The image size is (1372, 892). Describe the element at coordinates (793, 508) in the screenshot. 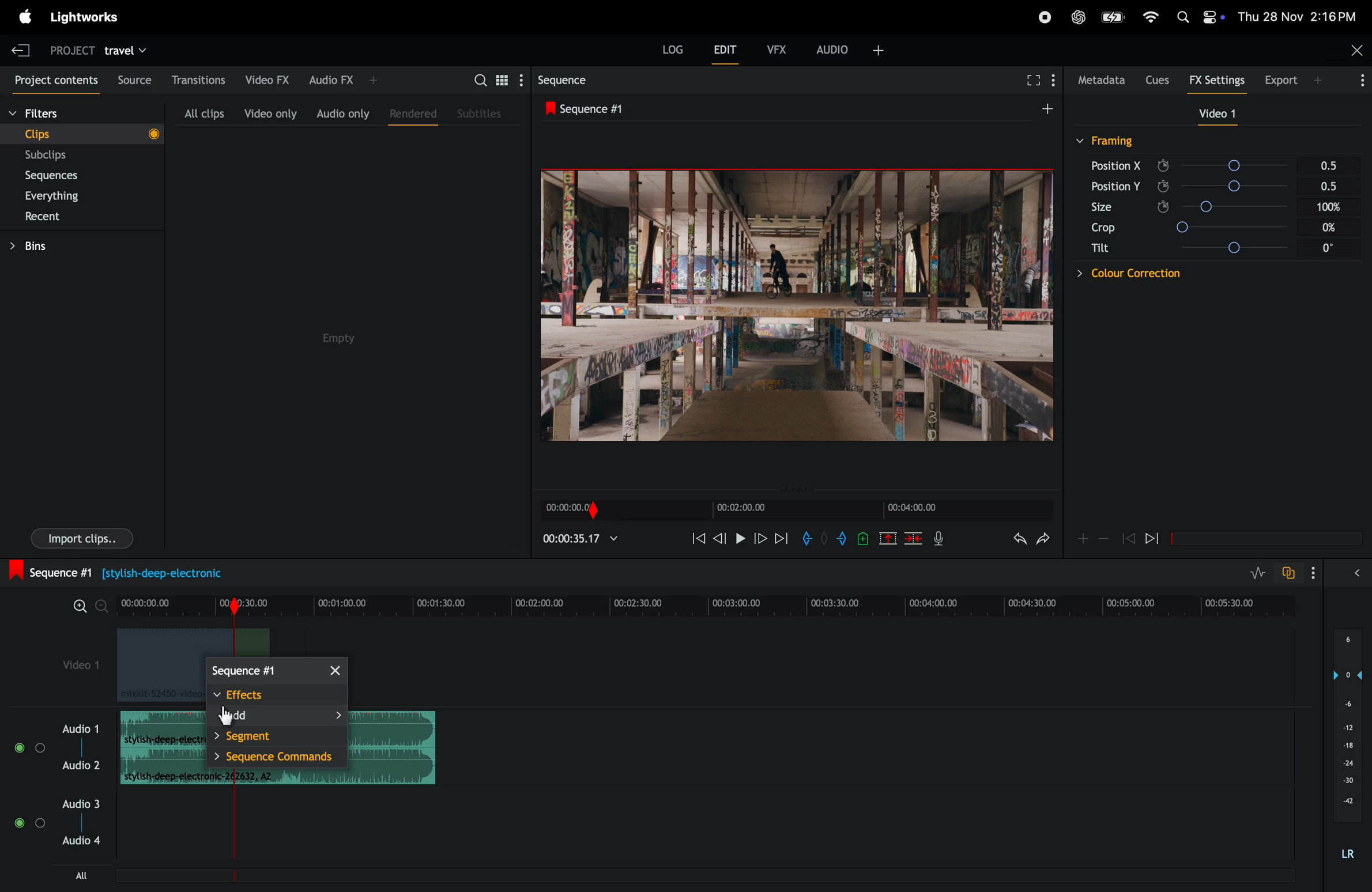

I see `timeframe` at that location.